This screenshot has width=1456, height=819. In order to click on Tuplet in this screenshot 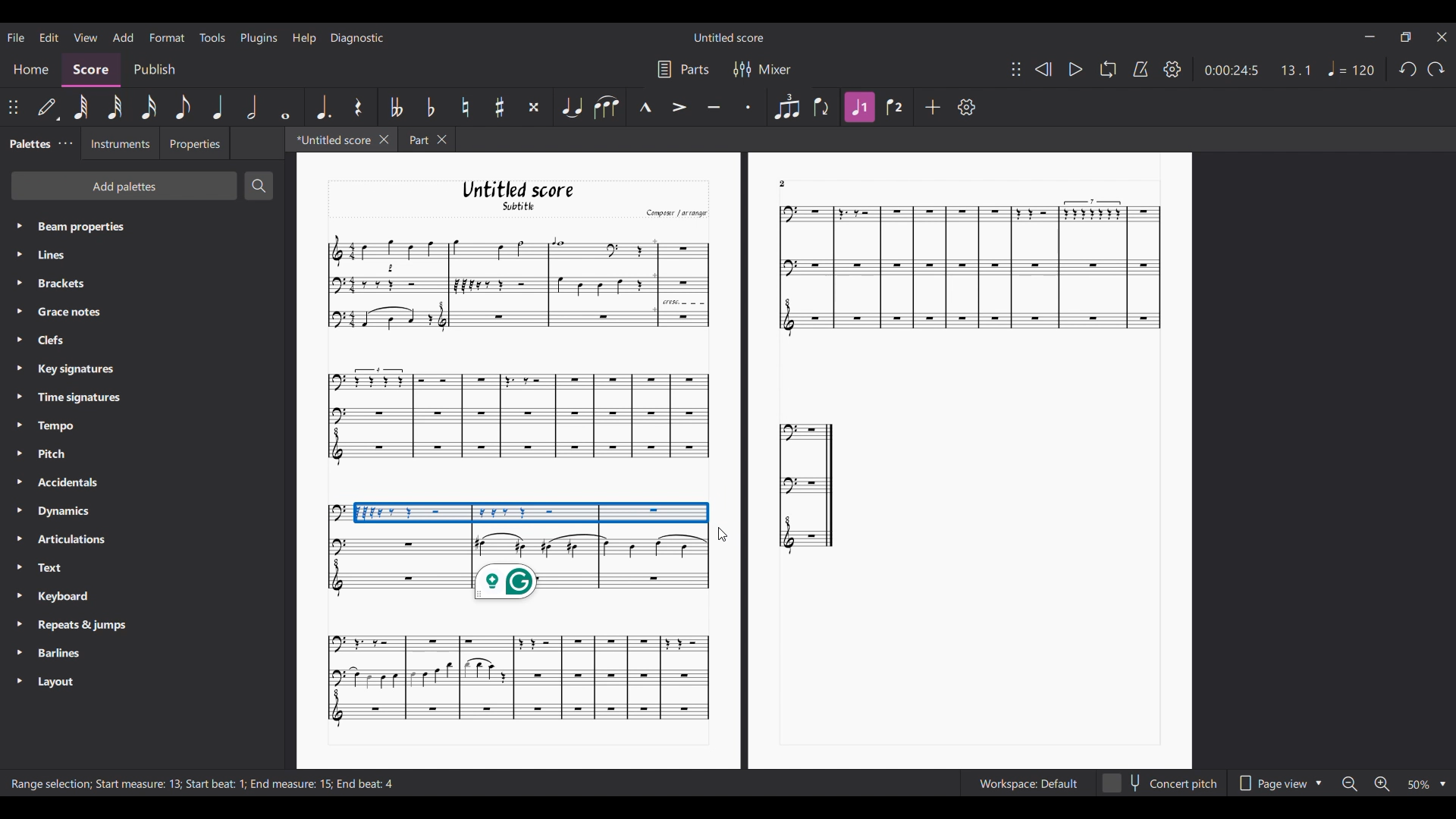, I will do `click(786, 106)`.